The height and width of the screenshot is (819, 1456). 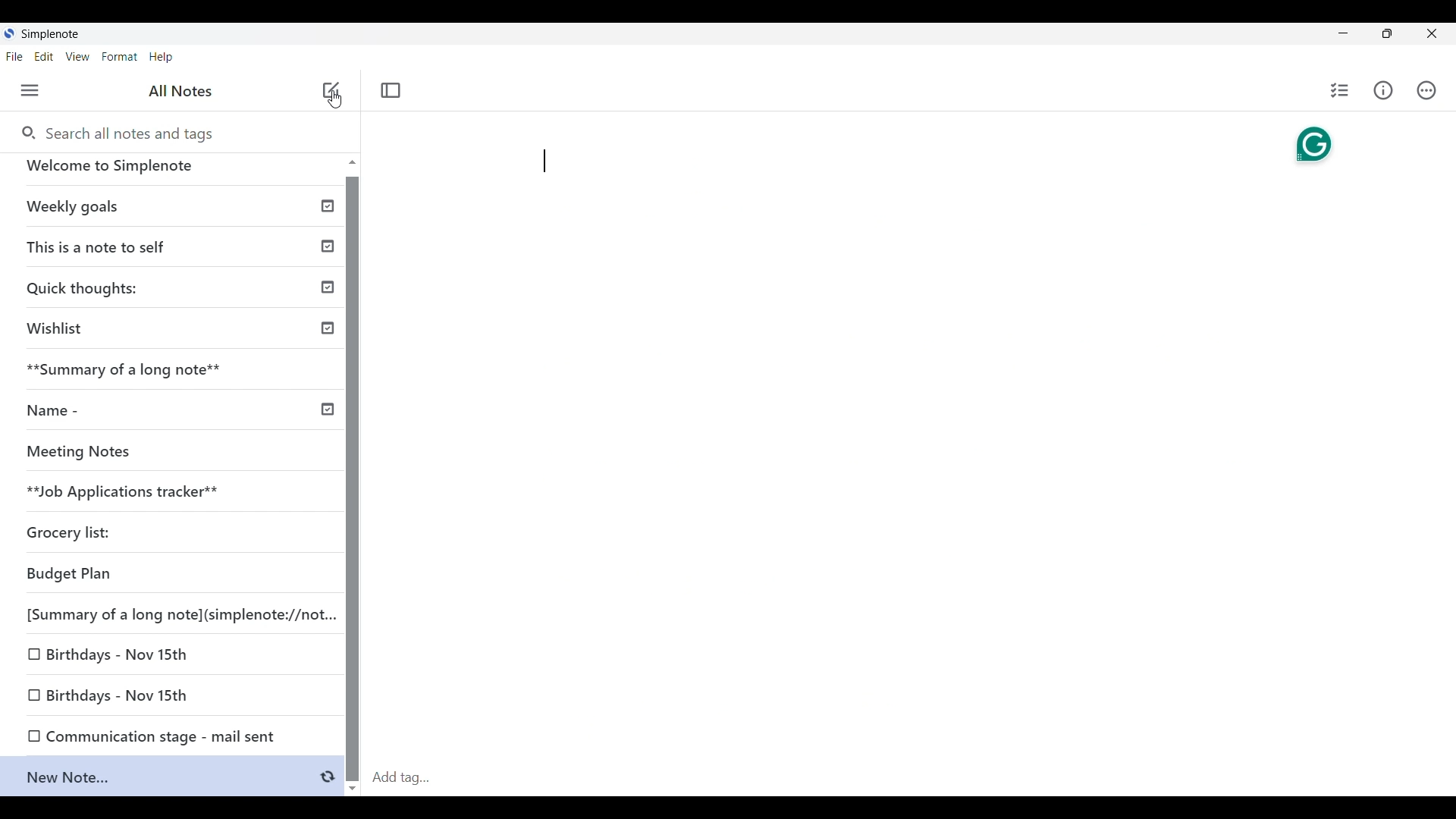 I want to click on Vertical slide bar for left panel, so click(x=352, y=479).